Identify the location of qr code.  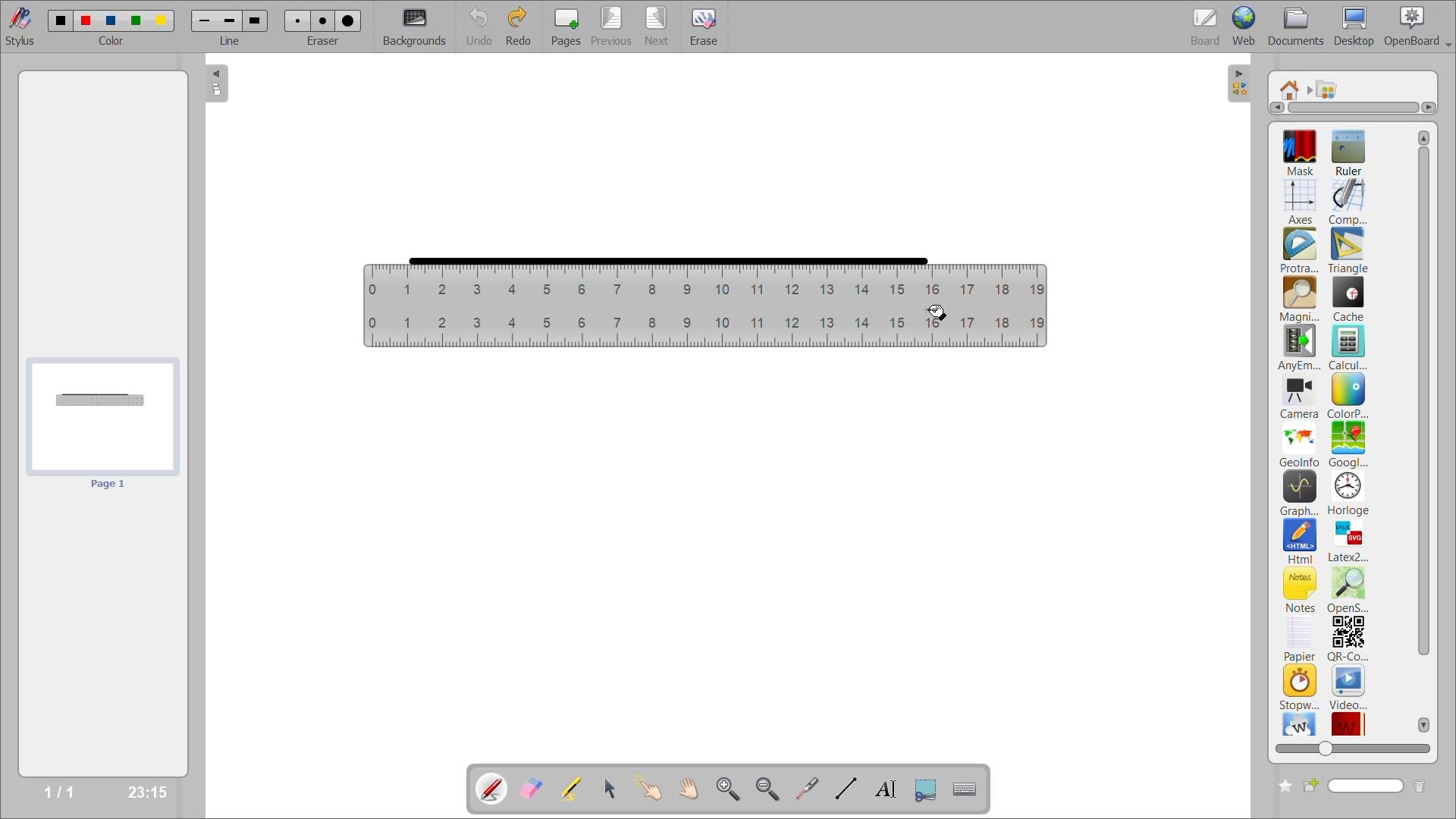
(1348, 639).